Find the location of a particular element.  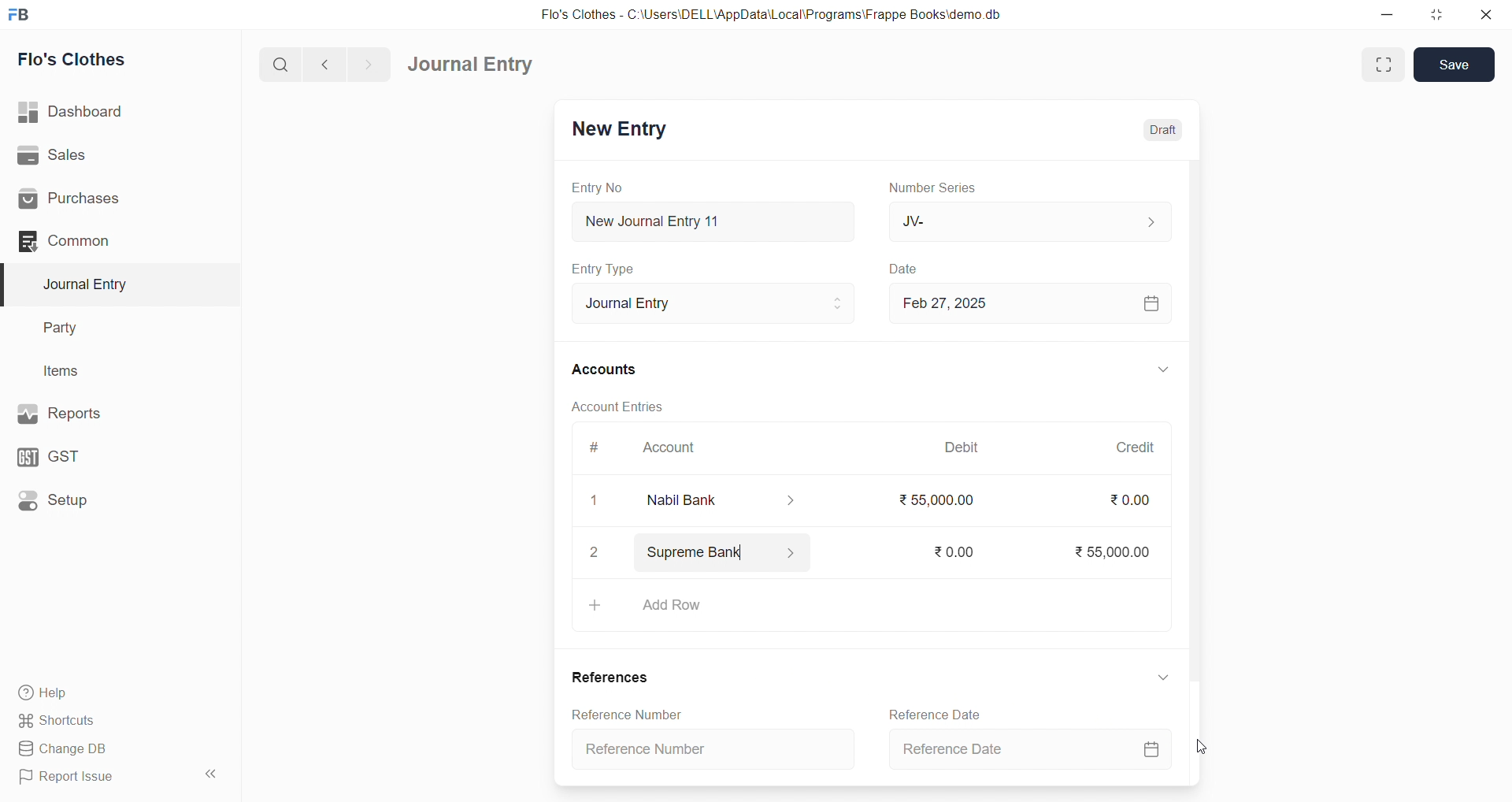

EXPAND/COLLAPSE is located at coordinates (1165, 677).